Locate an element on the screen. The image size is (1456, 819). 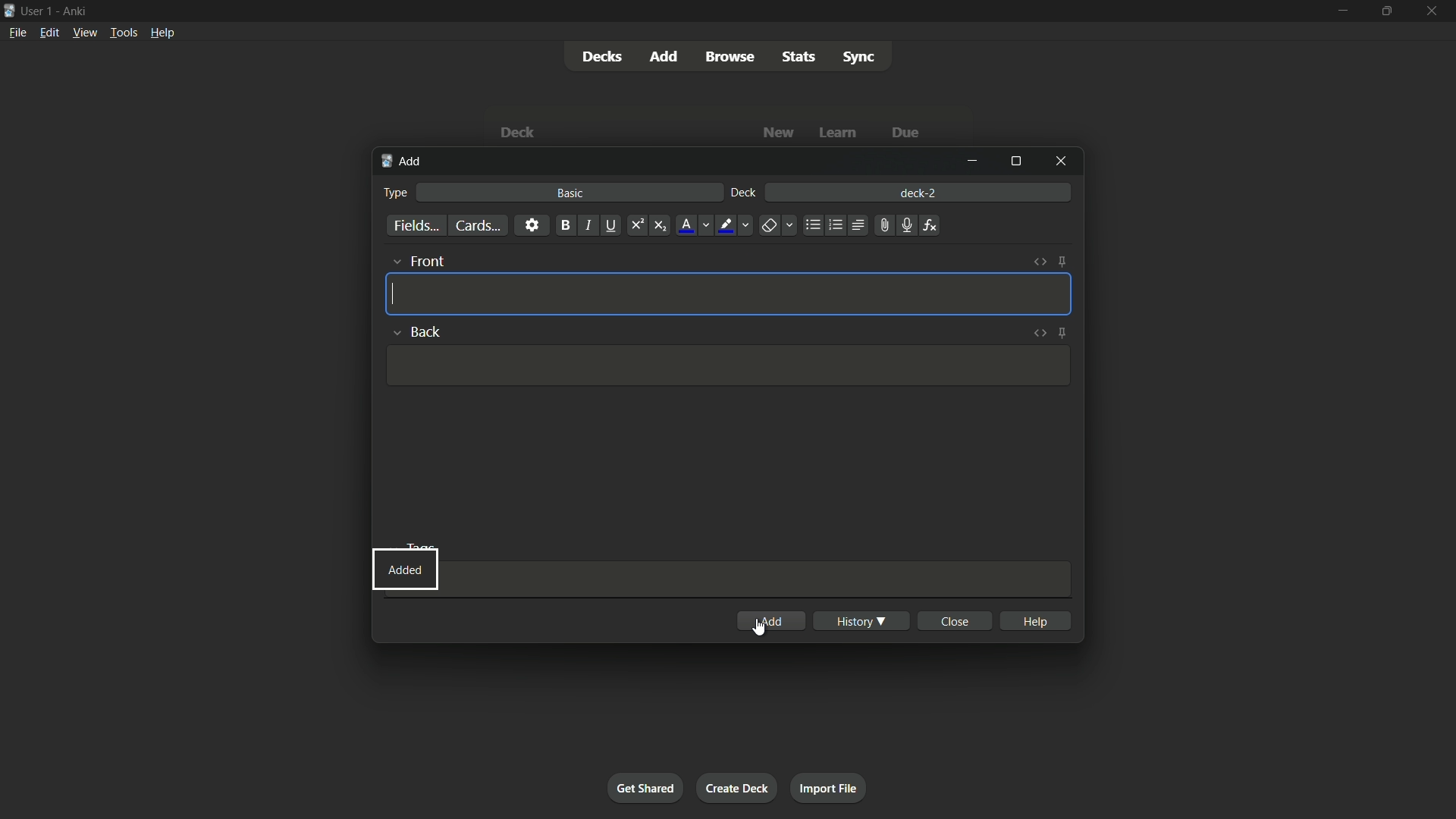
toggle html editor is located at coordinates (1043, 260).